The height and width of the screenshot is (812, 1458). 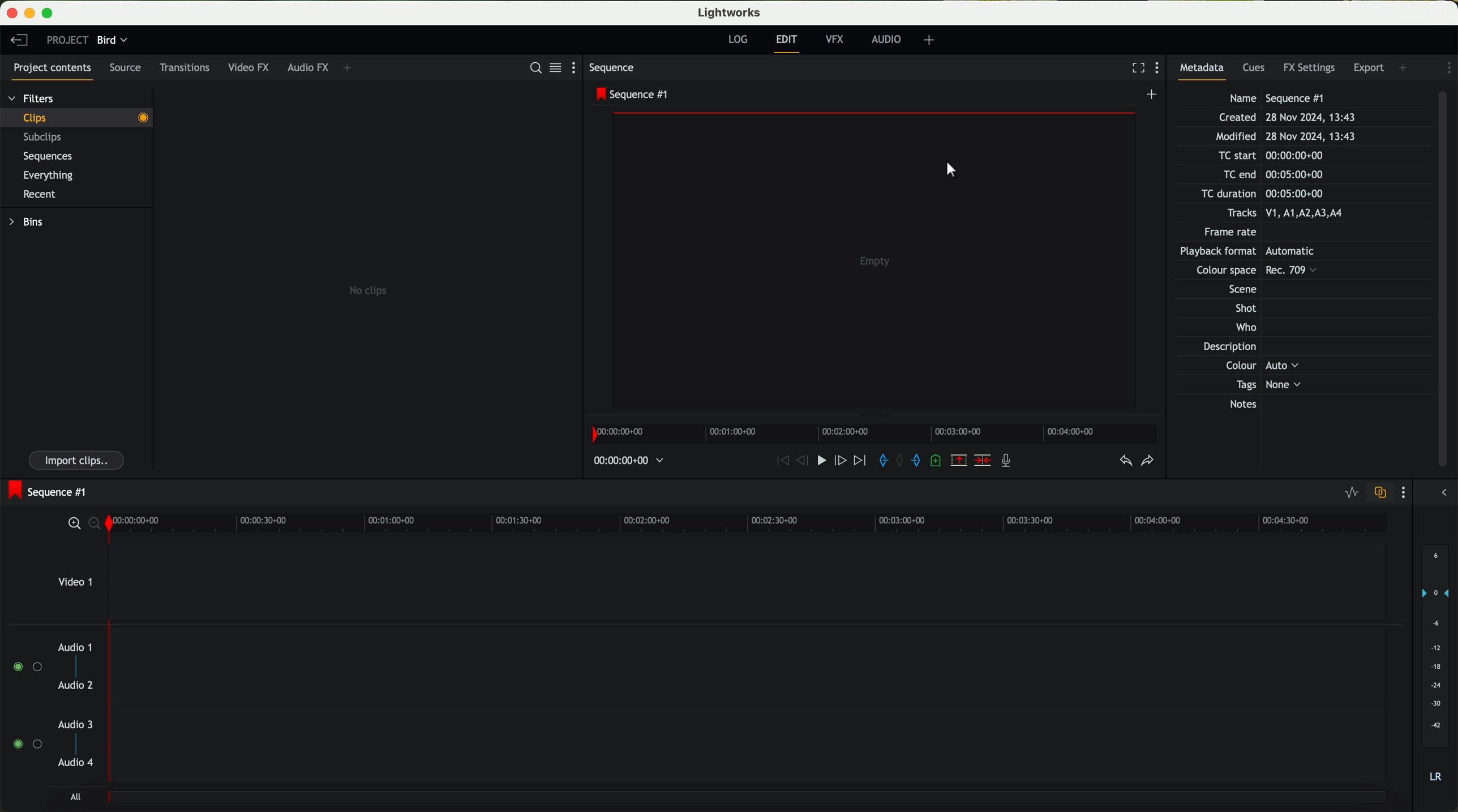 I want to click on Tracks, so click(x=1295, y=212).